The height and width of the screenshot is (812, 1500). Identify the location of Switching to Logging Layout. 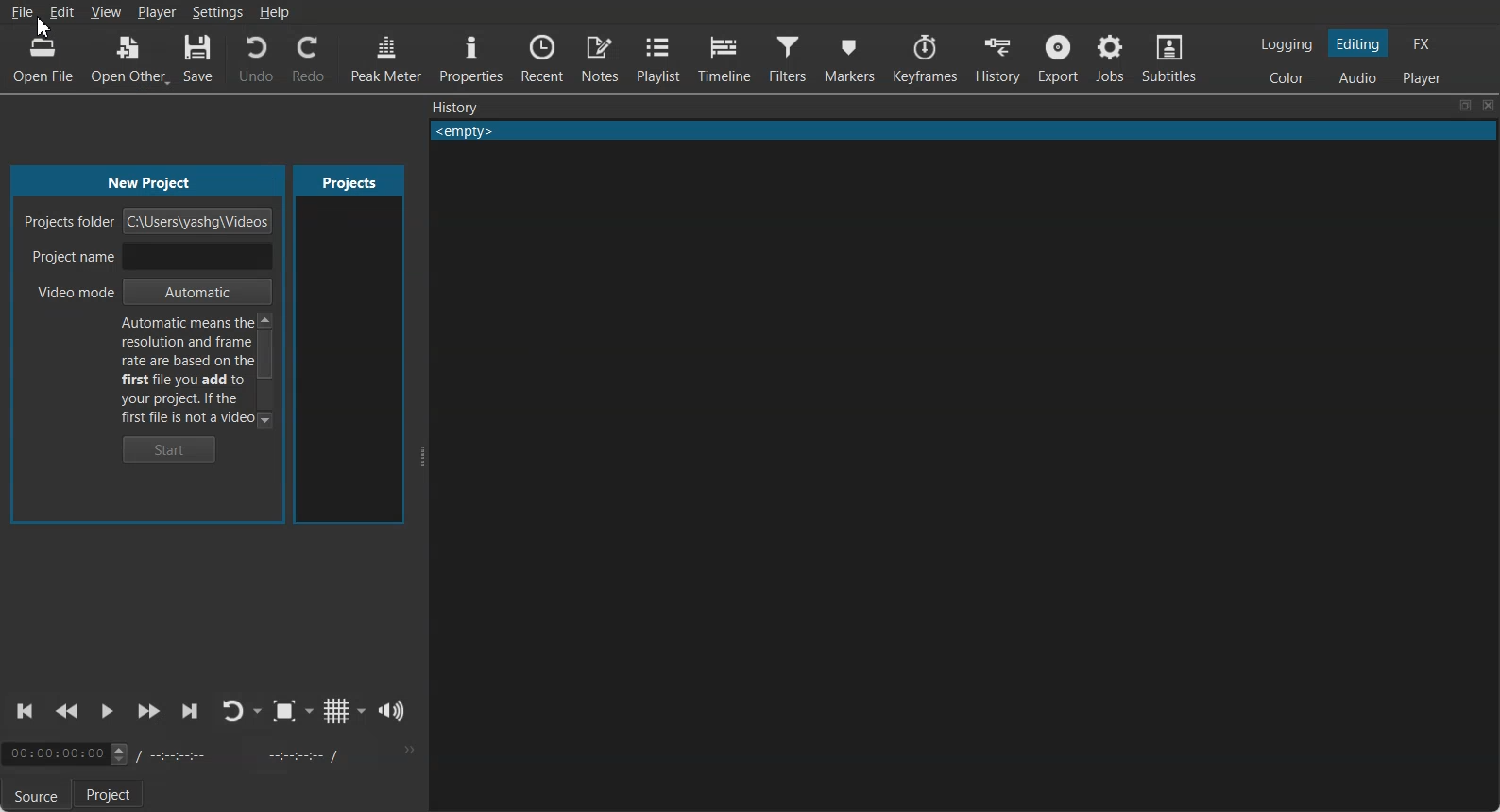
(1286, 44).